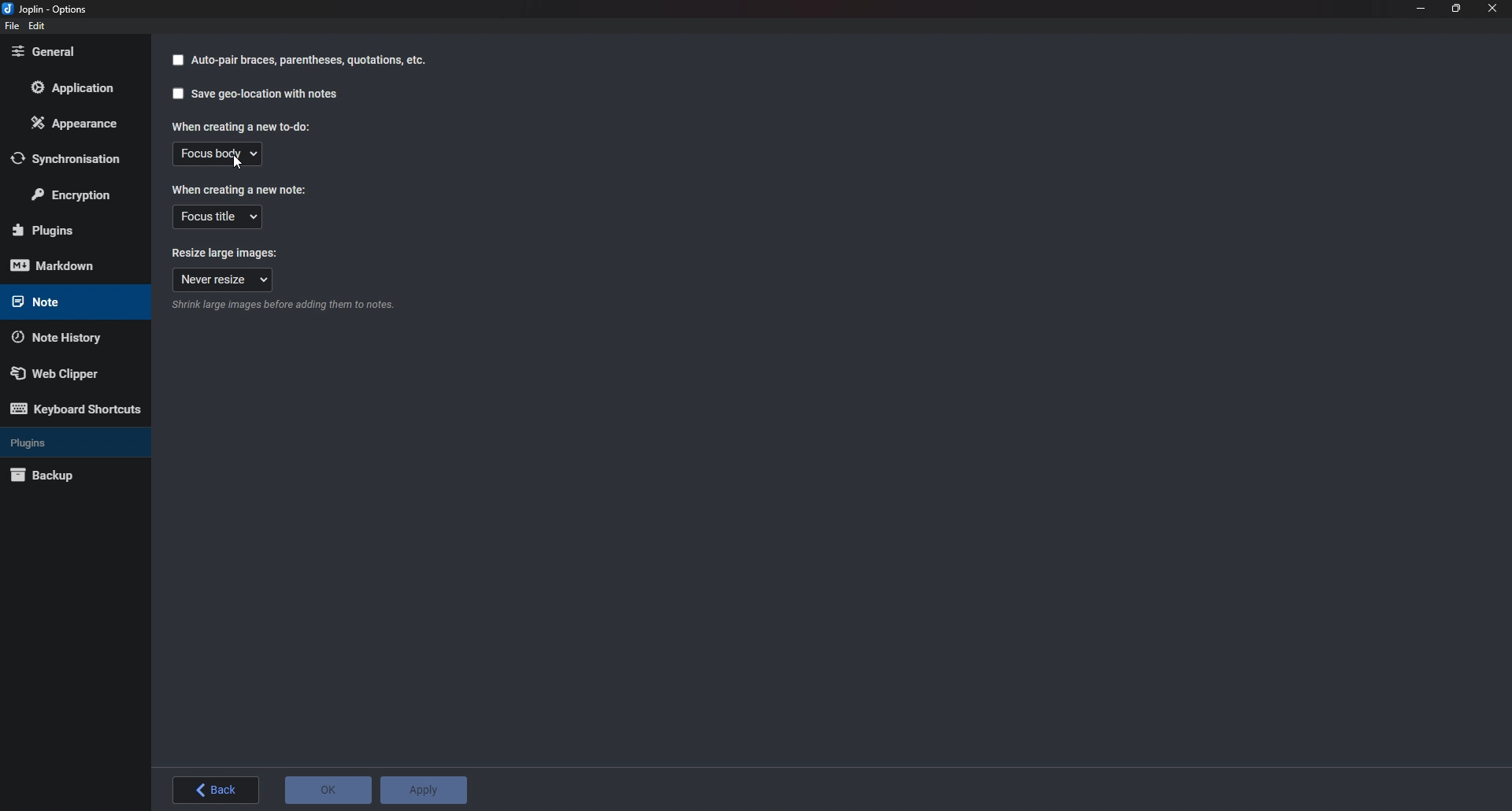 The height and width of the screenshot is (811, 1512). What do you see at coordinates (73, 371) in the screenshot?
I see `Web Clipper` at bounding box center [73, 371].